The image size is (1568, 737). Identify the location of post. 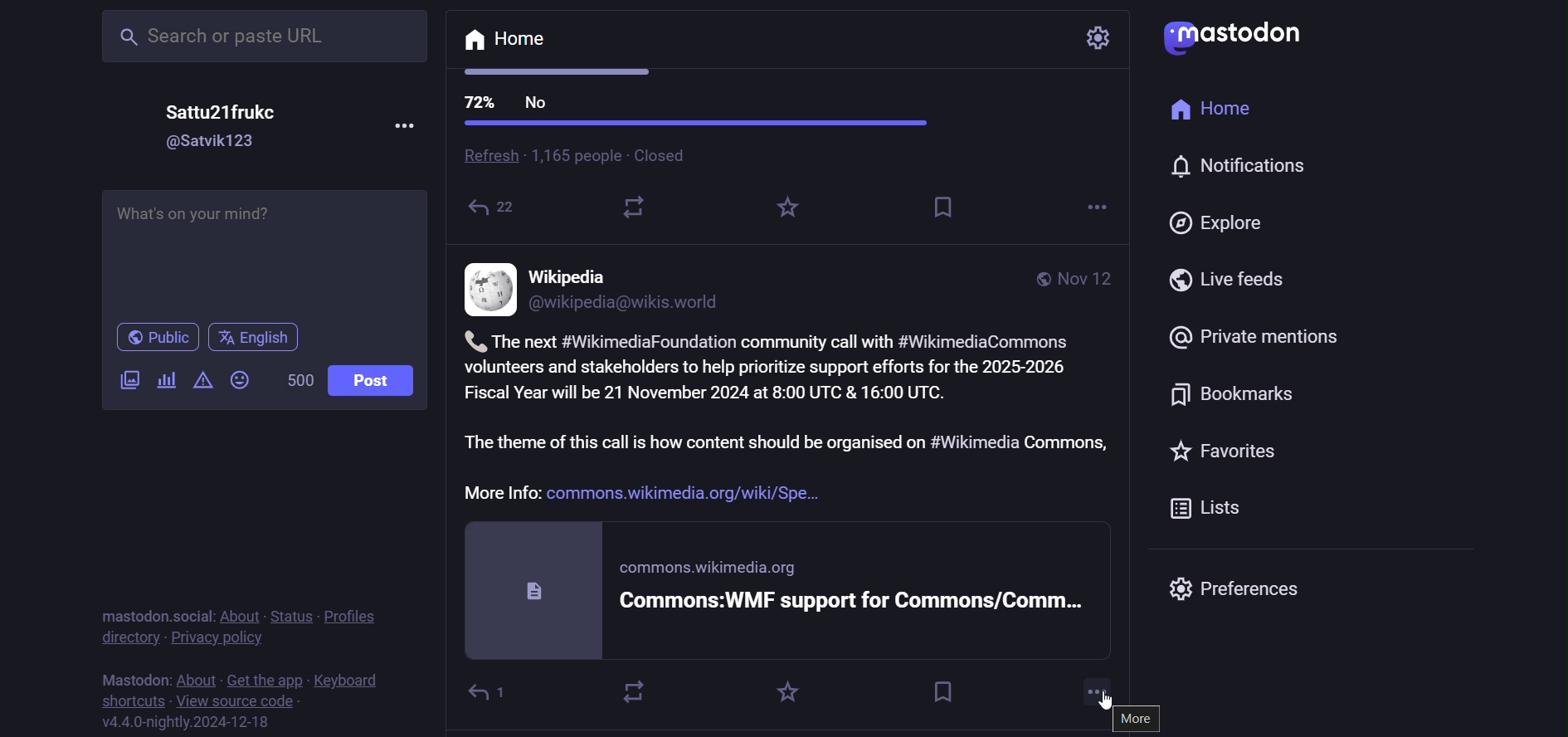
(379, 381).